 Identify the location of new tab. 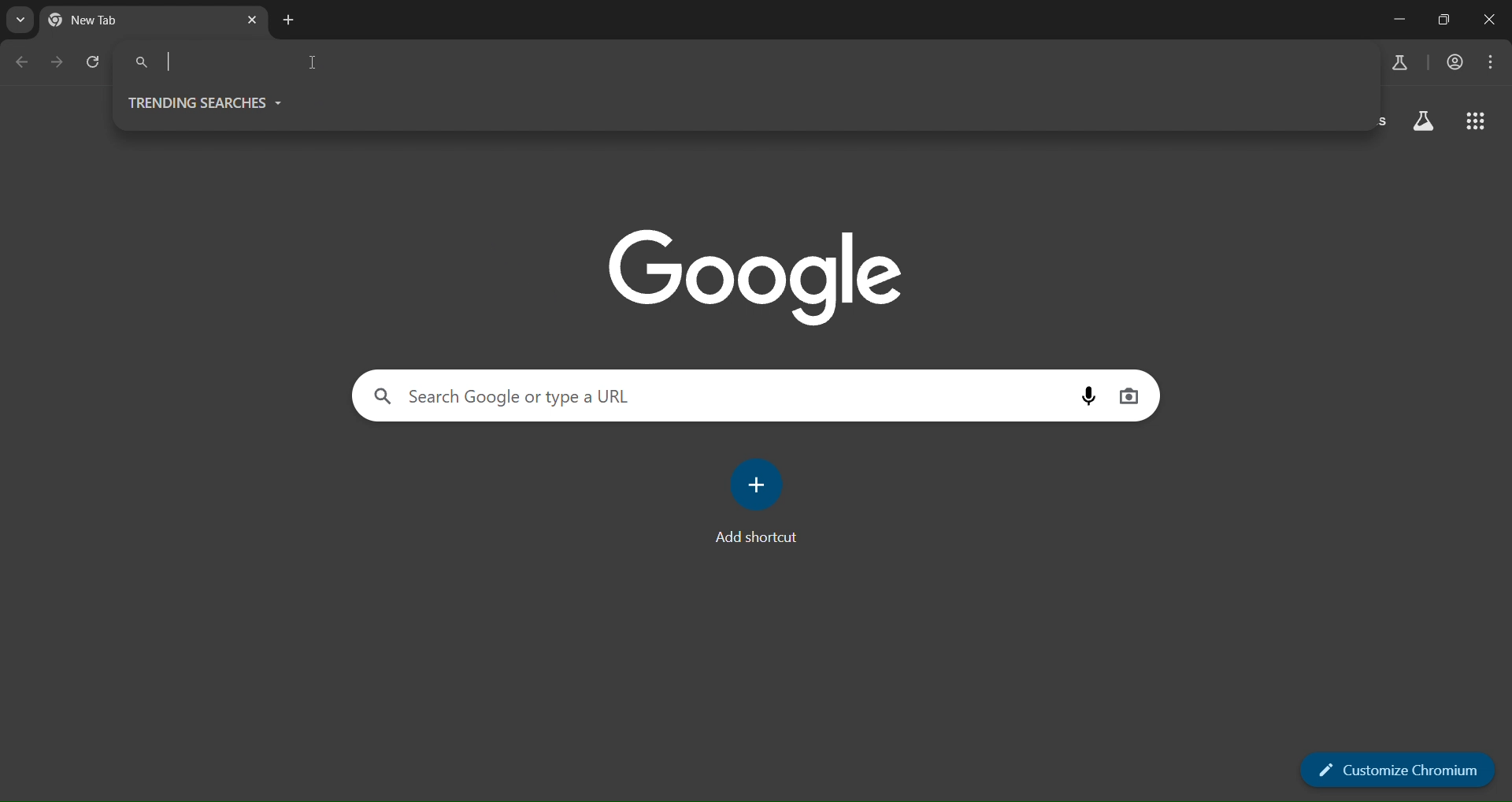
(250, 22).